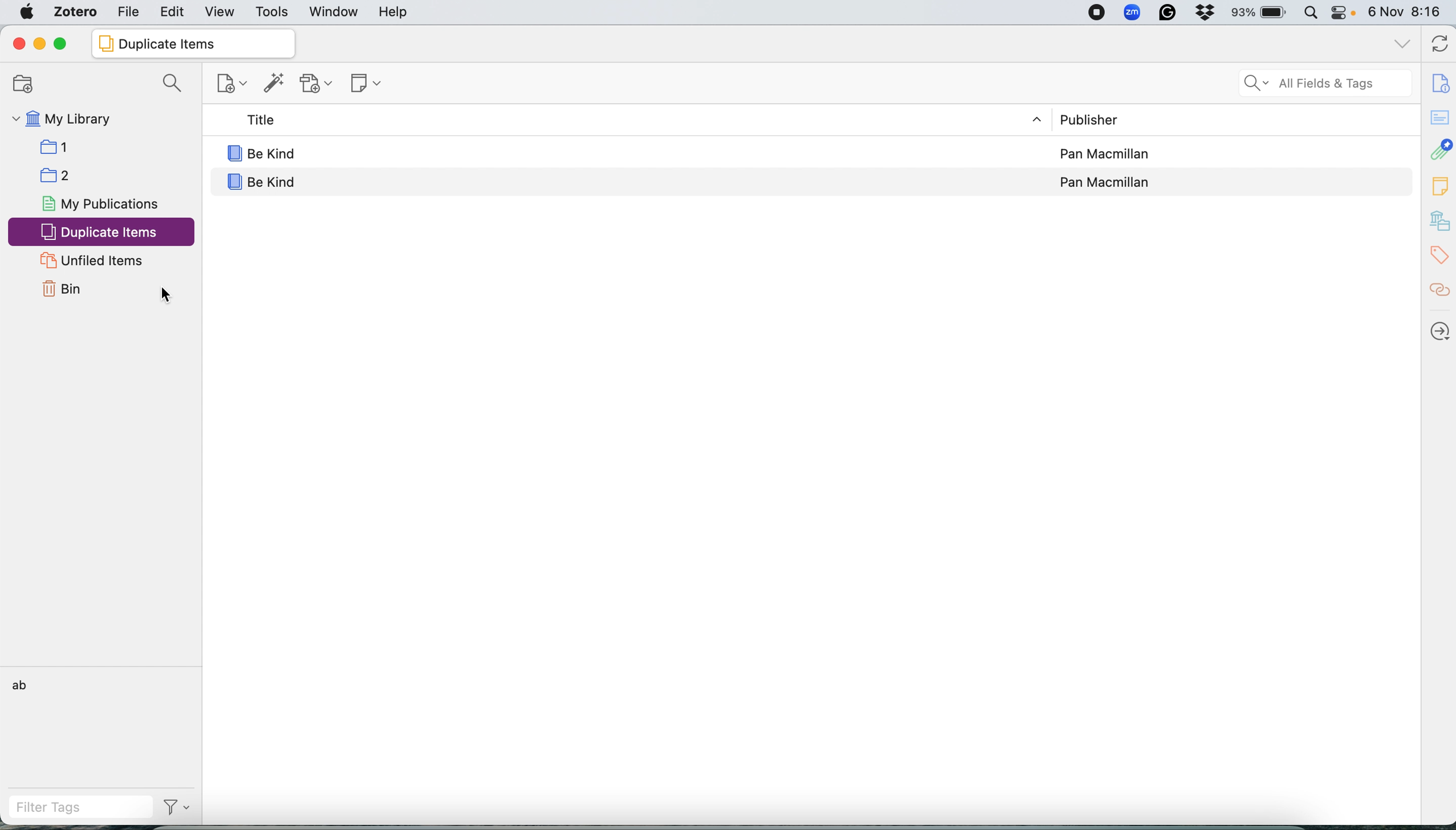 The width and height of the screenshot is (1456, 830). Describe the element at coordinates (168, 299) in the screenshot. I see `cursor` at that location.